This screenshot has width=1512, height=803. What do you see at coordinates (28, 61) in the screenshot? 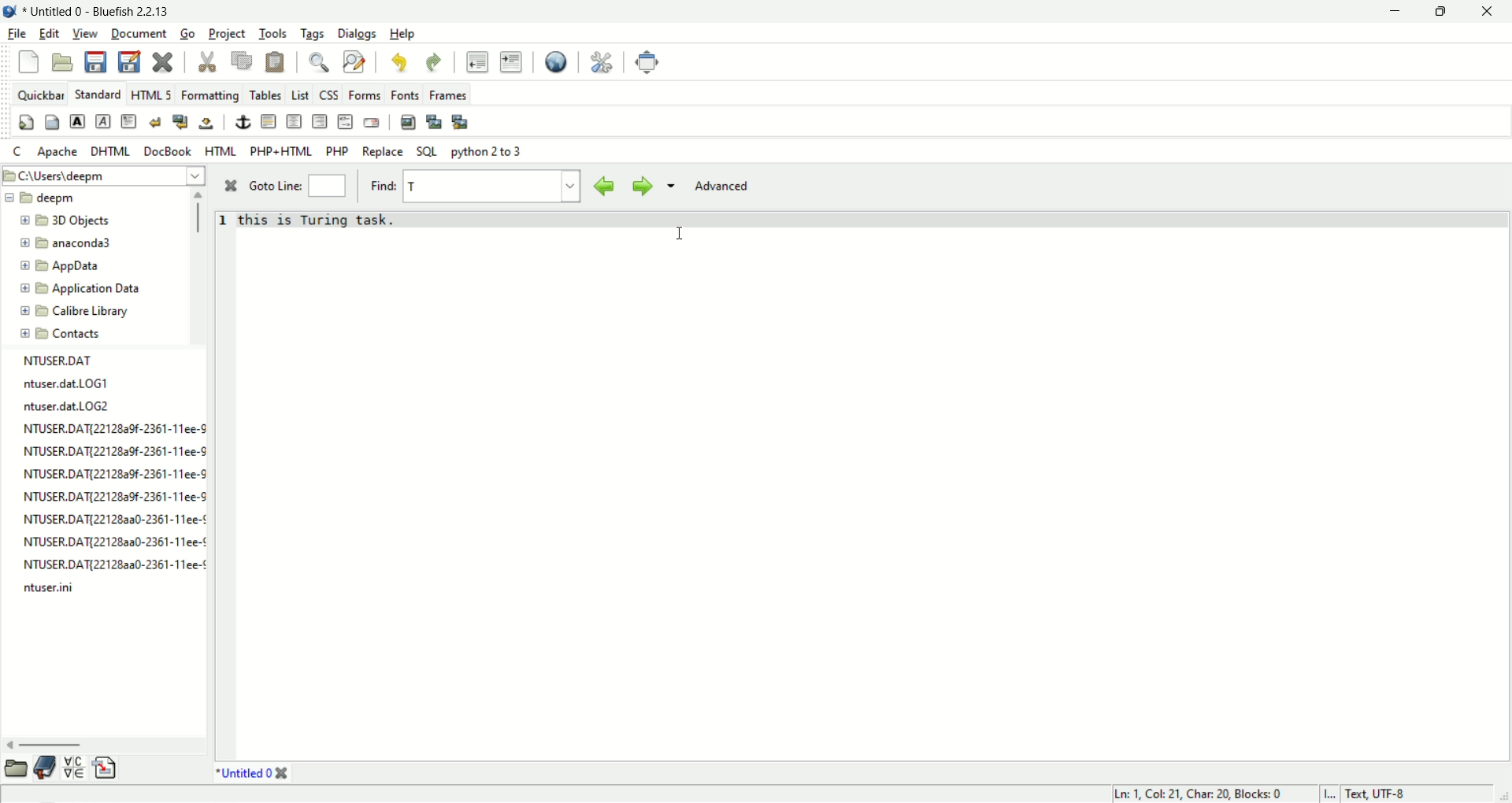
I see `New file` at bounding box center [28, 61].